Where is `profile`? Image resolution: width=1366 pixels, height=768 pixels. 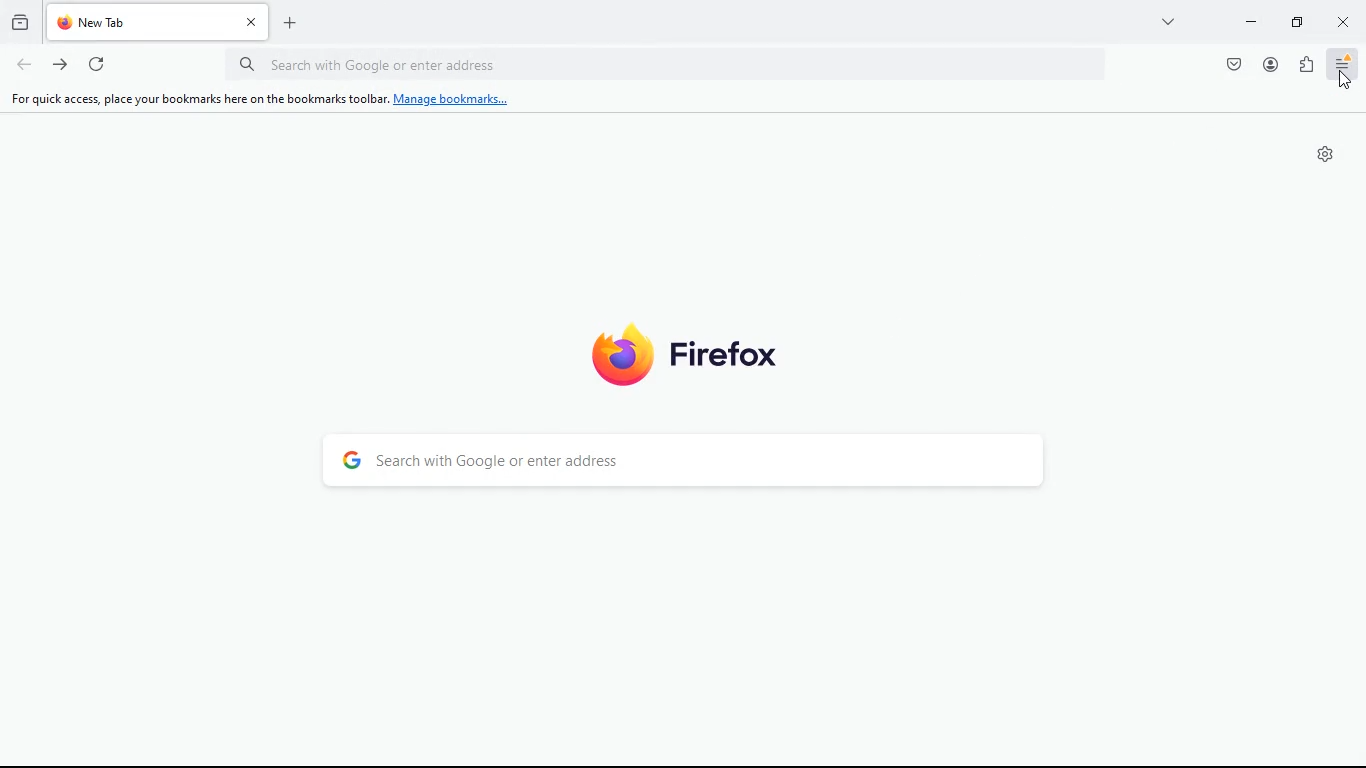
profile is located at coordinates (1270, 66).